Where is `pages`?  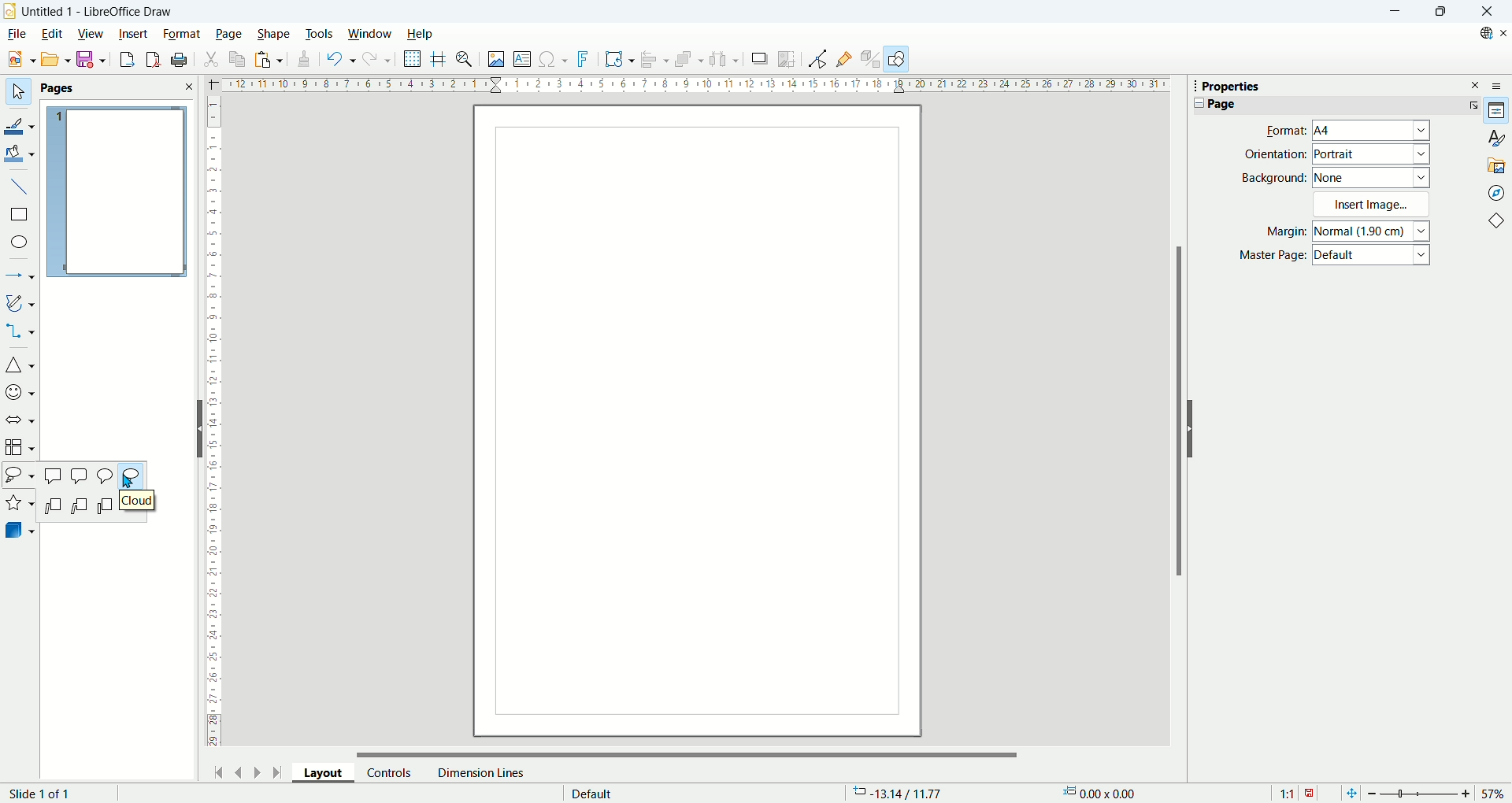
pages is located at coordinates (117, 89).